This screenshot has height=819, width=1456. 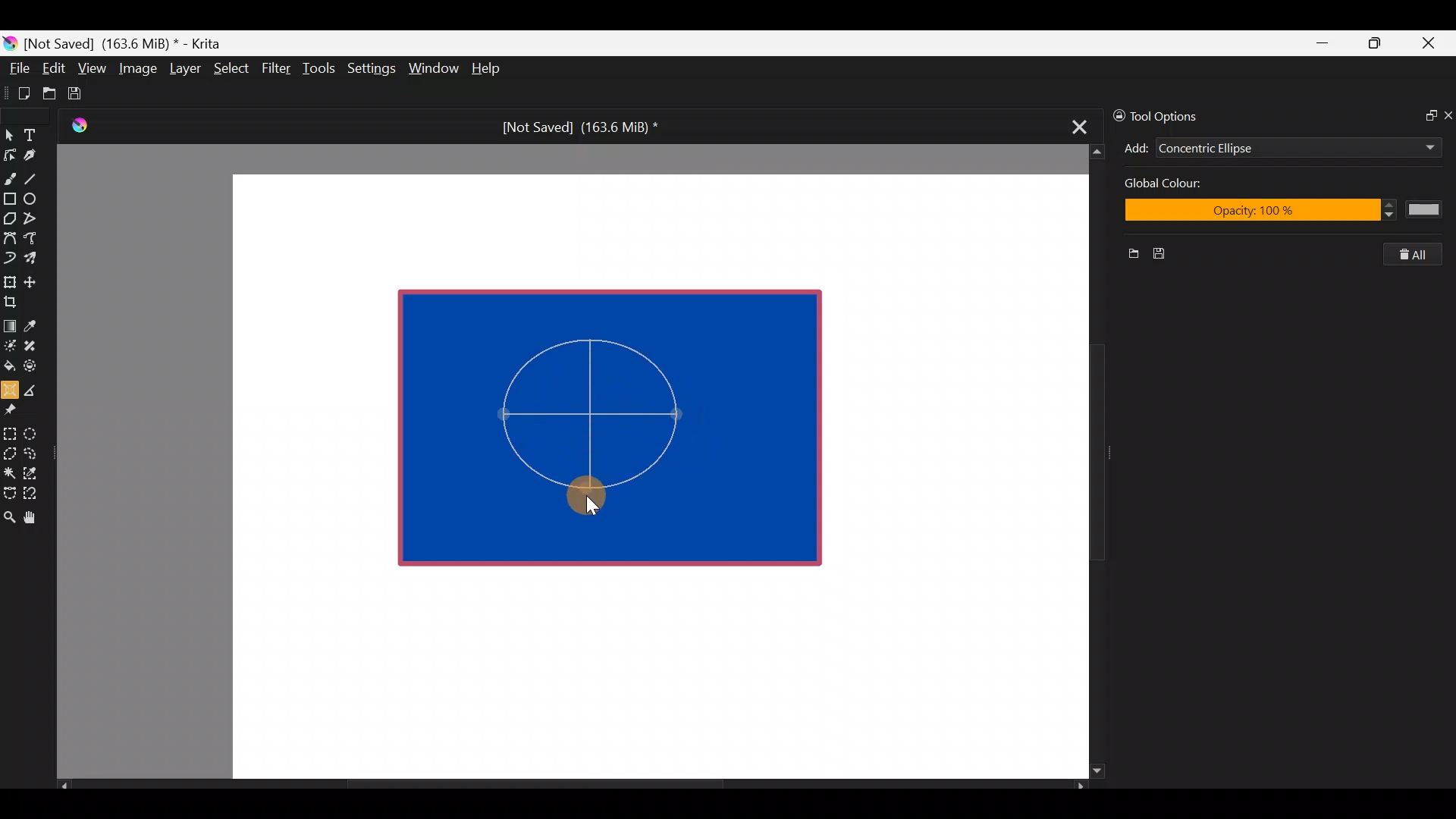 I want to click on Smart patch tool, so click(x=35, y=345).